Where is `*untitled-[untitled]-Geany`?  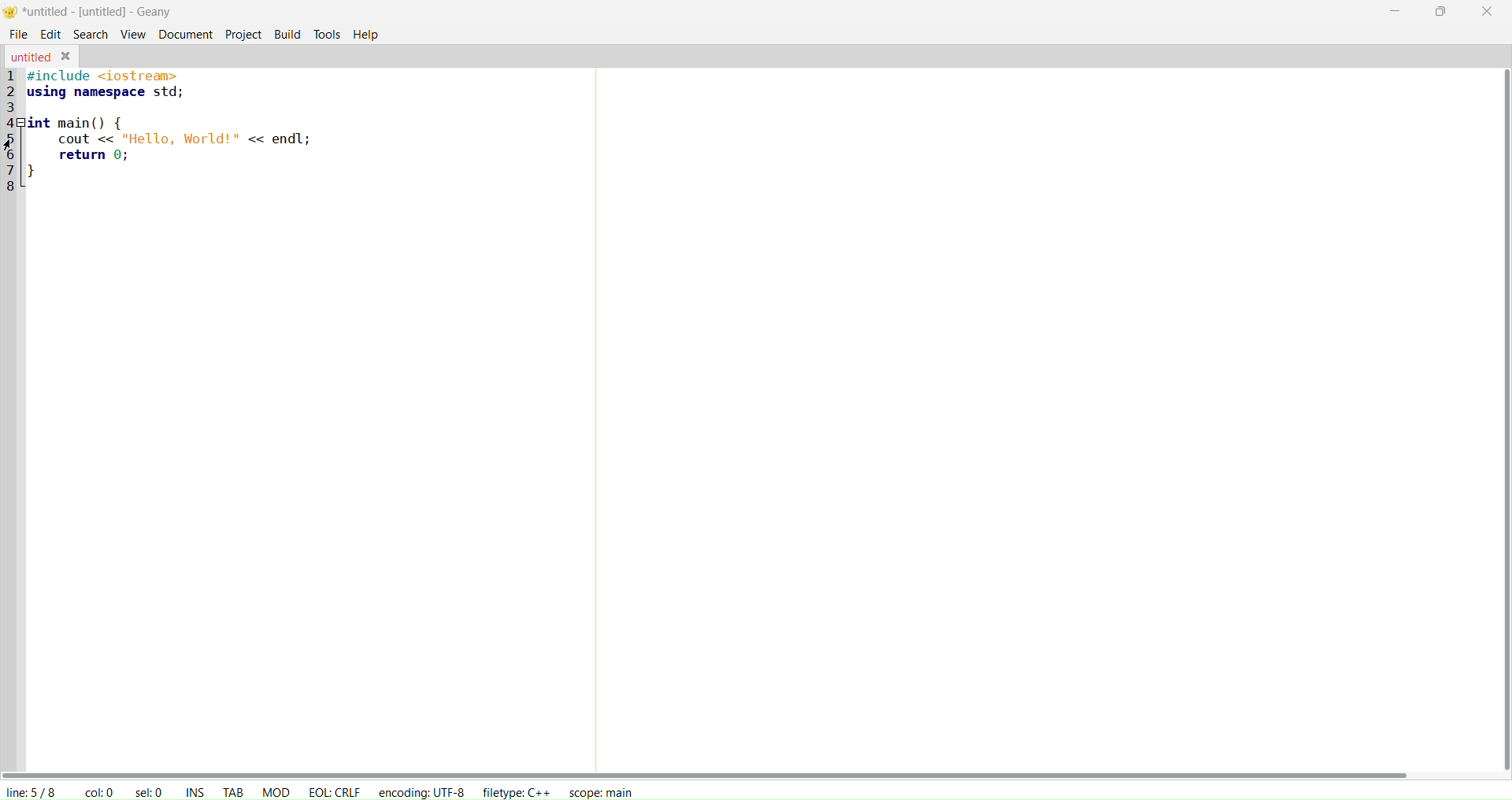 *untitled-[untitled]-Geany is located at coordinates (98, 12).